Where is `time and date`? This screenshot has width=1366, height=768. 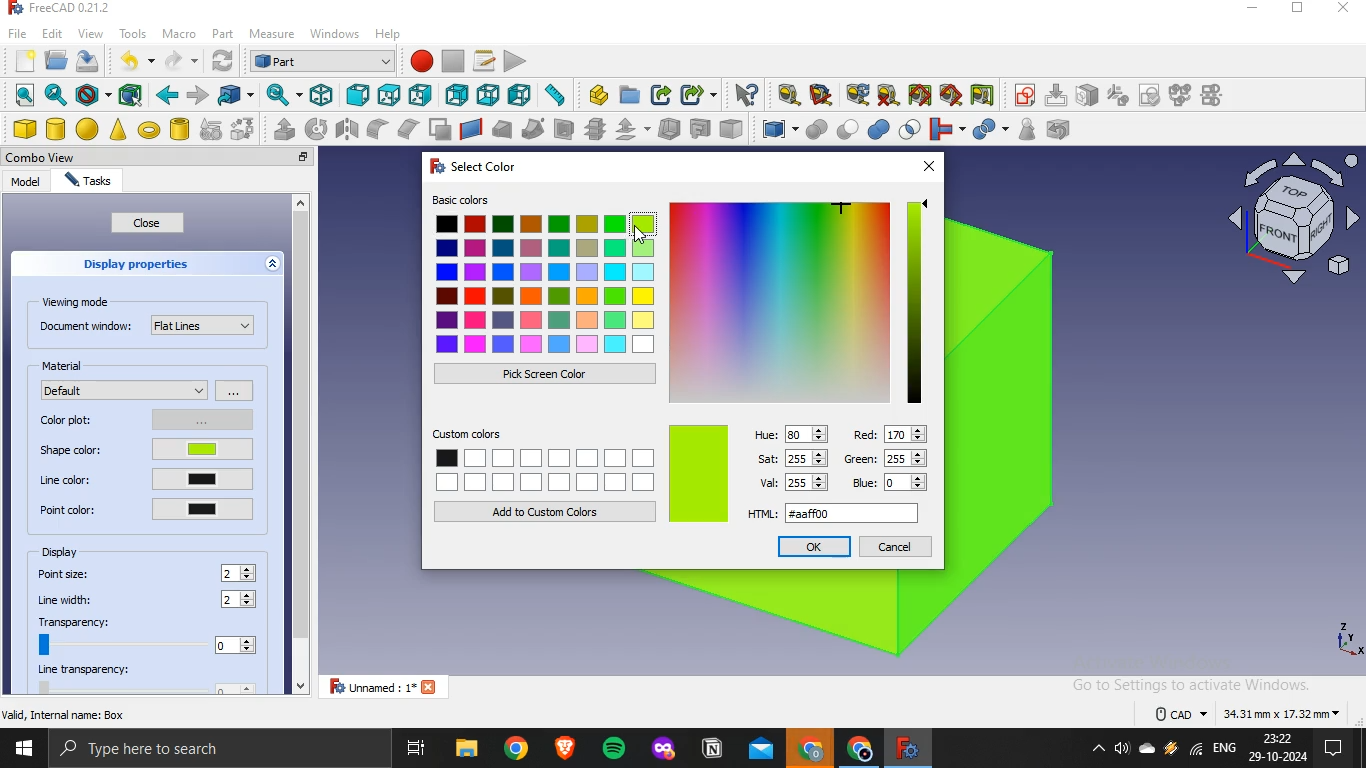
time and date is located at coordinates (1279, 748).